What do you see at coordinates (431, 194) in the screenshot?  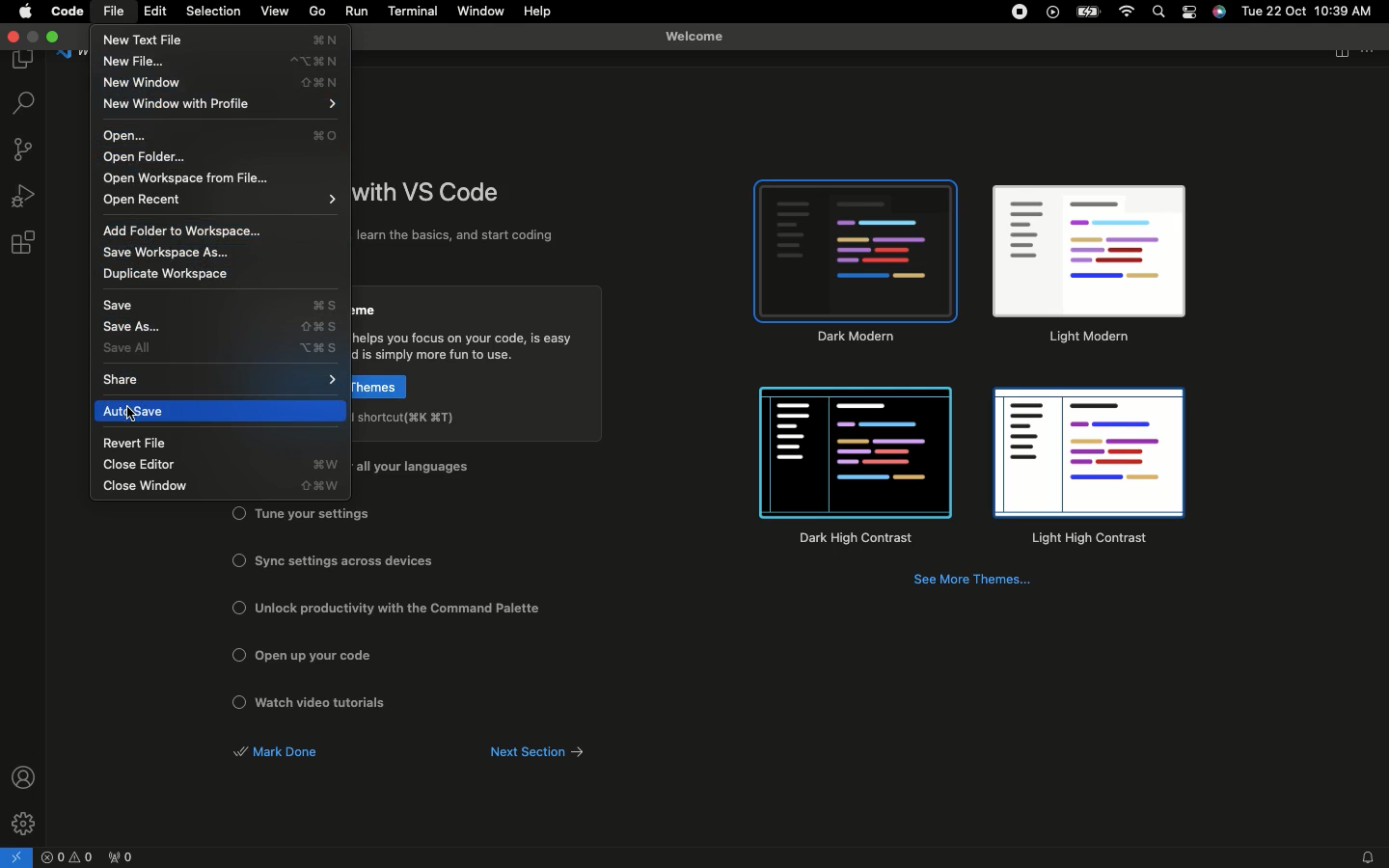 I see `Get started with VS code` at bounding box center [431, 194].